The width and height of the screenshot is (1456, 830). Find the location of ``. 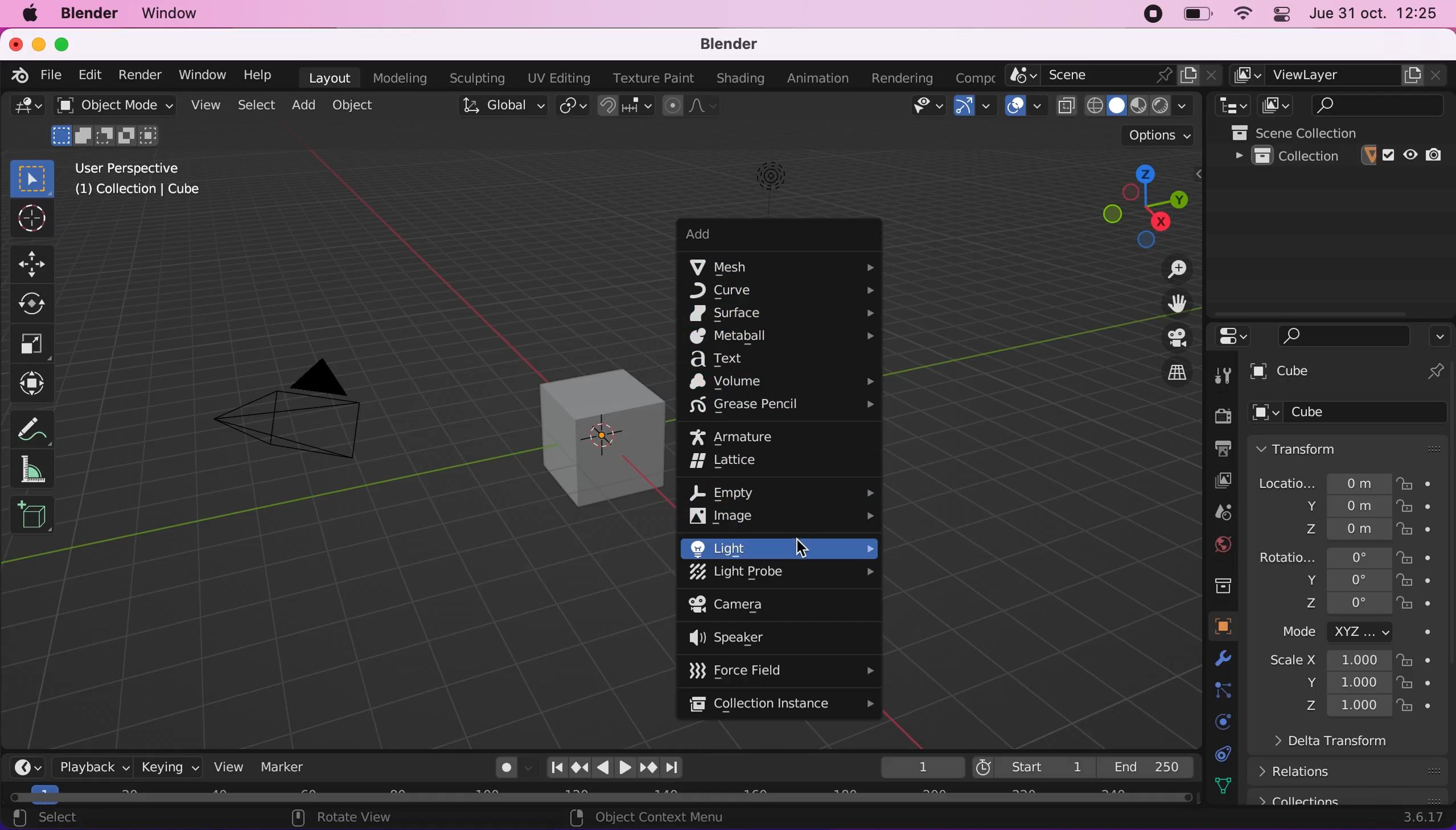

 is located at coordinates (1225, 373).